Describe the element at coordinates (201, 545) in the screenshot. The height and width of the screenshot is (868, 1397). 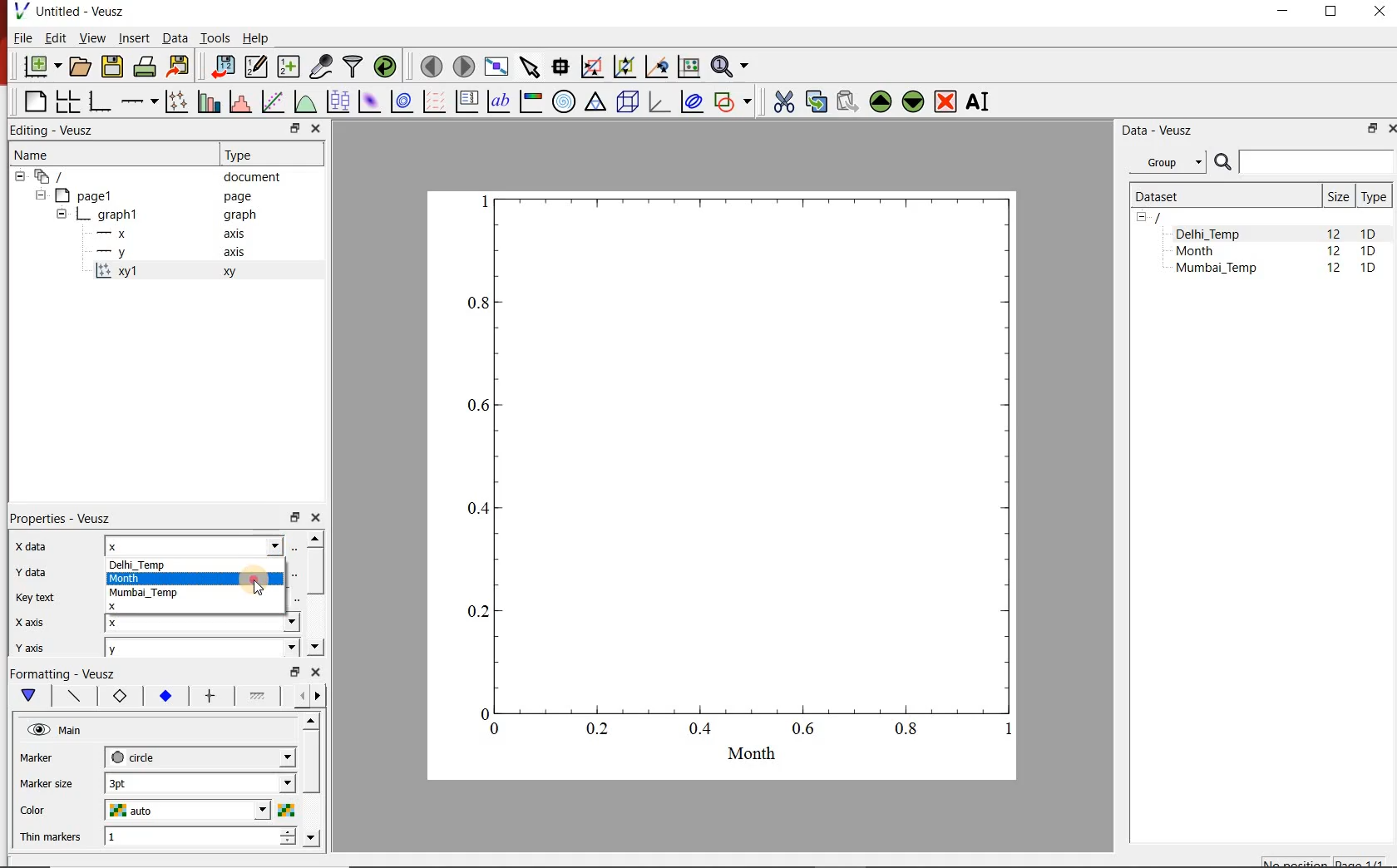
I see `x` at that location.